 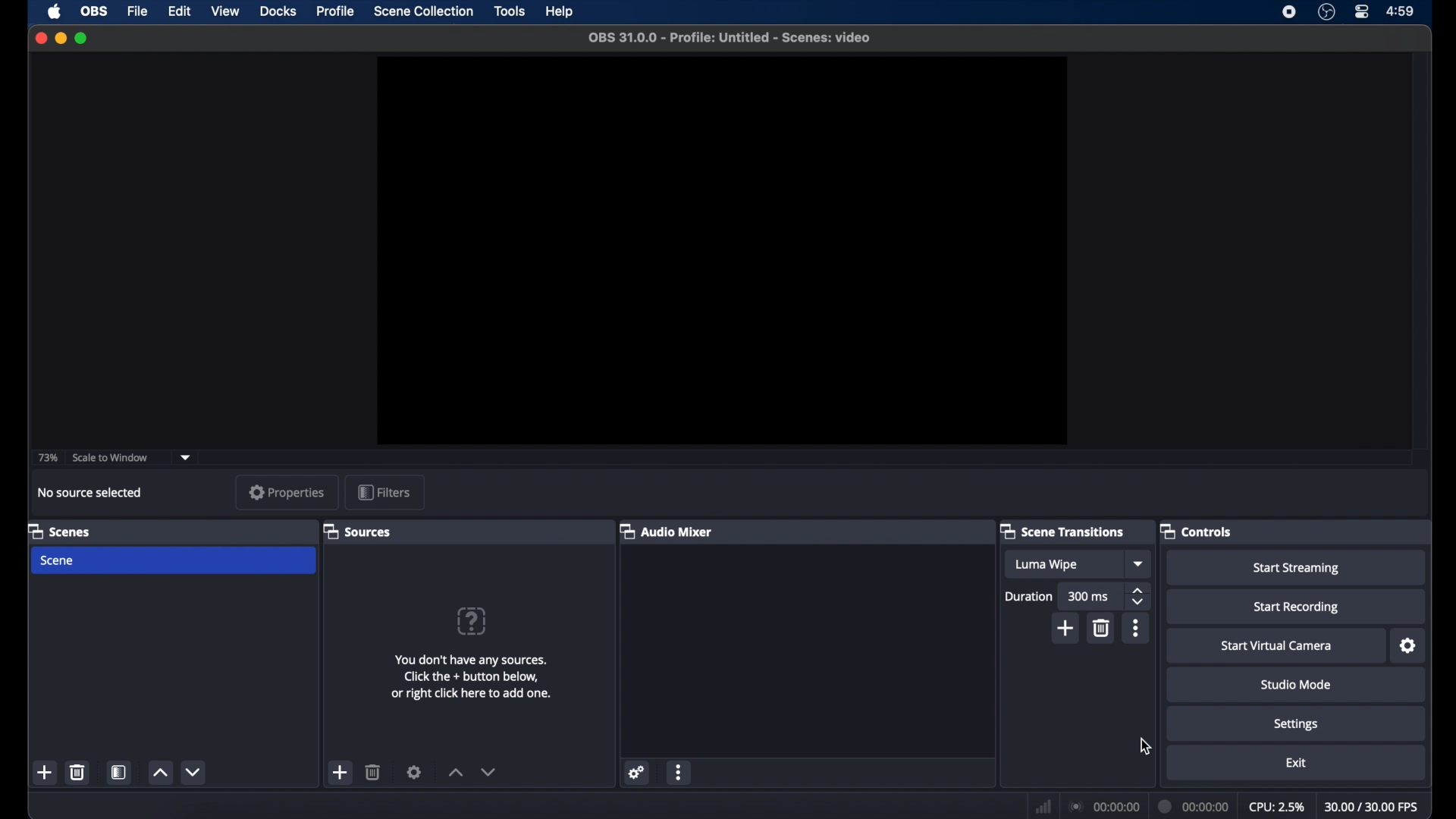 I want to click on scene filters, so click(x=120, y=772).